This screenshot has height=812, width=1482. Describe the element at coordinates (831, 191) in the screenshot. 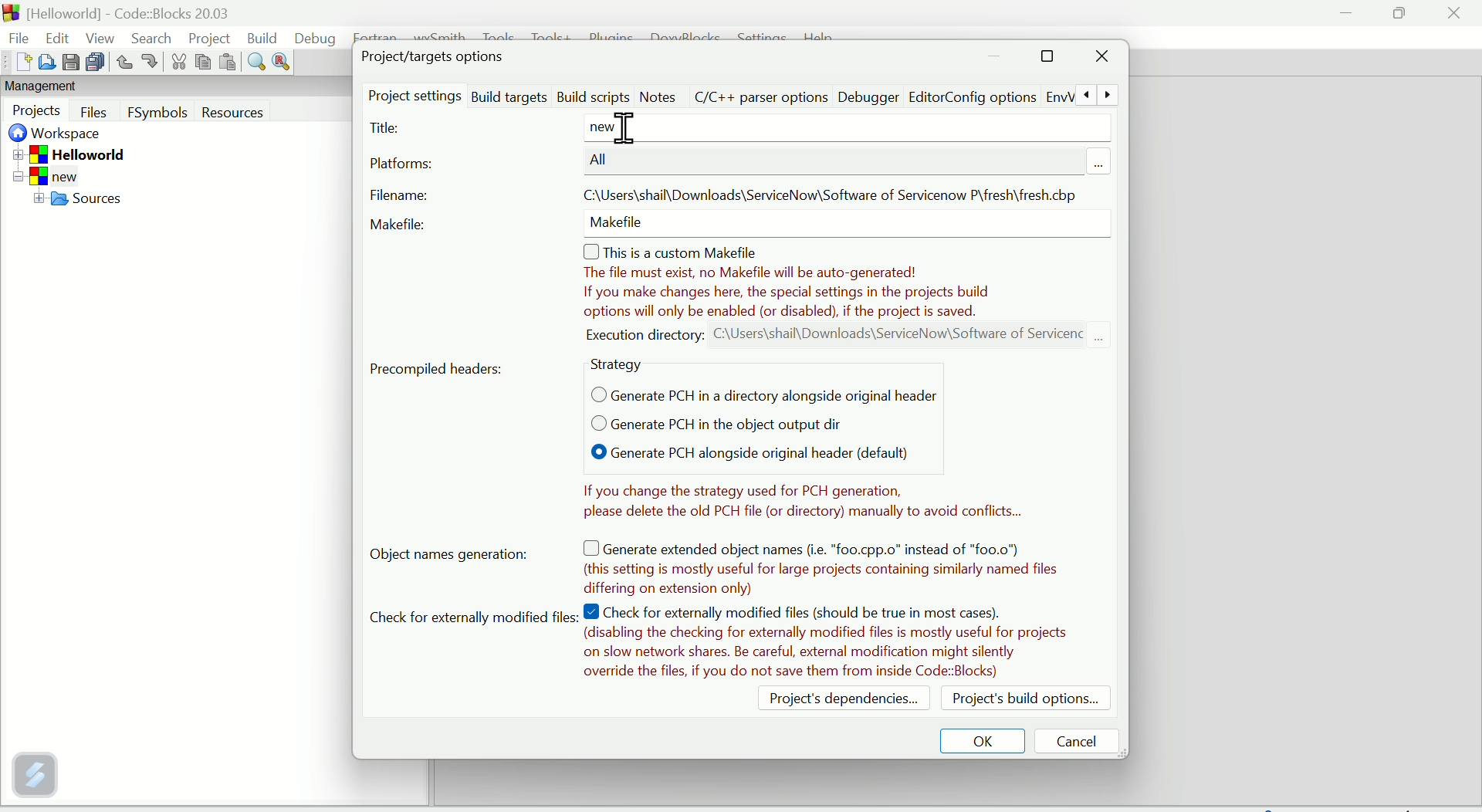

I see `File address` at that location.